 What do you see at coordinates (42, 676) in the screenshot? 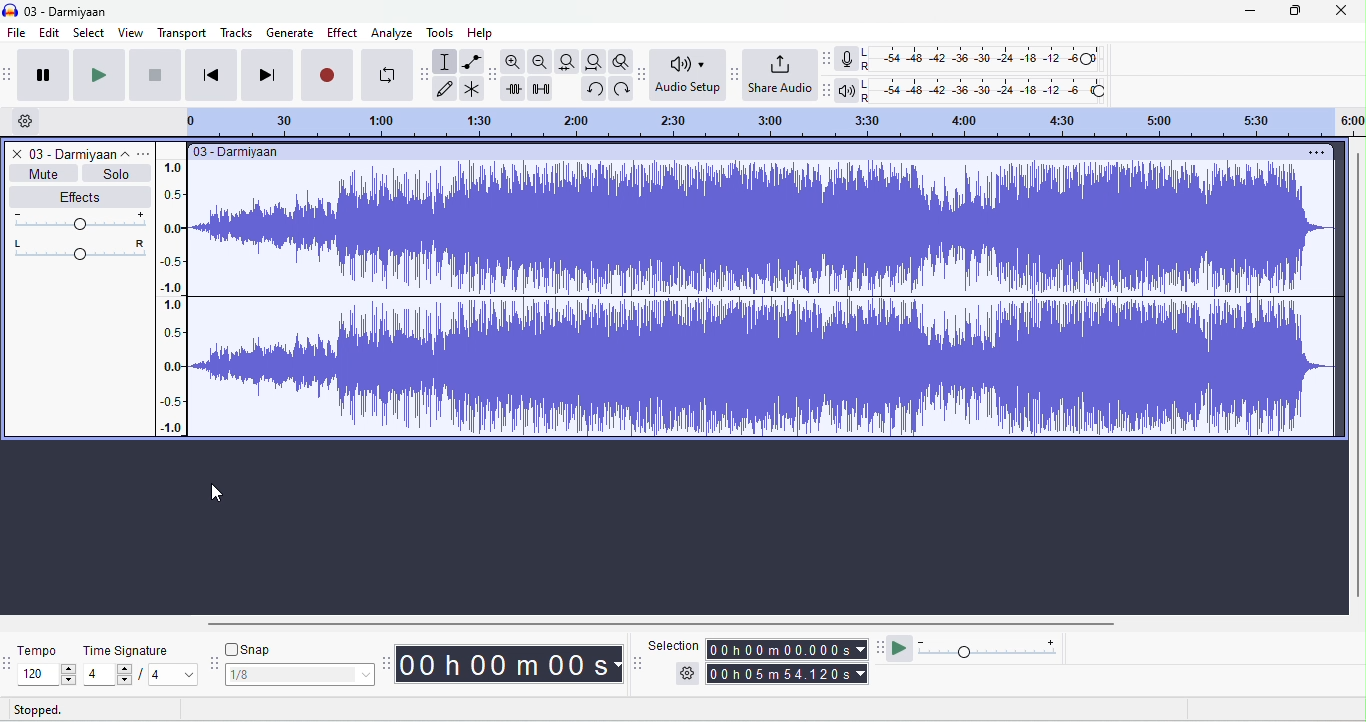
I see `select tempo` at bounding box center [42, 676].